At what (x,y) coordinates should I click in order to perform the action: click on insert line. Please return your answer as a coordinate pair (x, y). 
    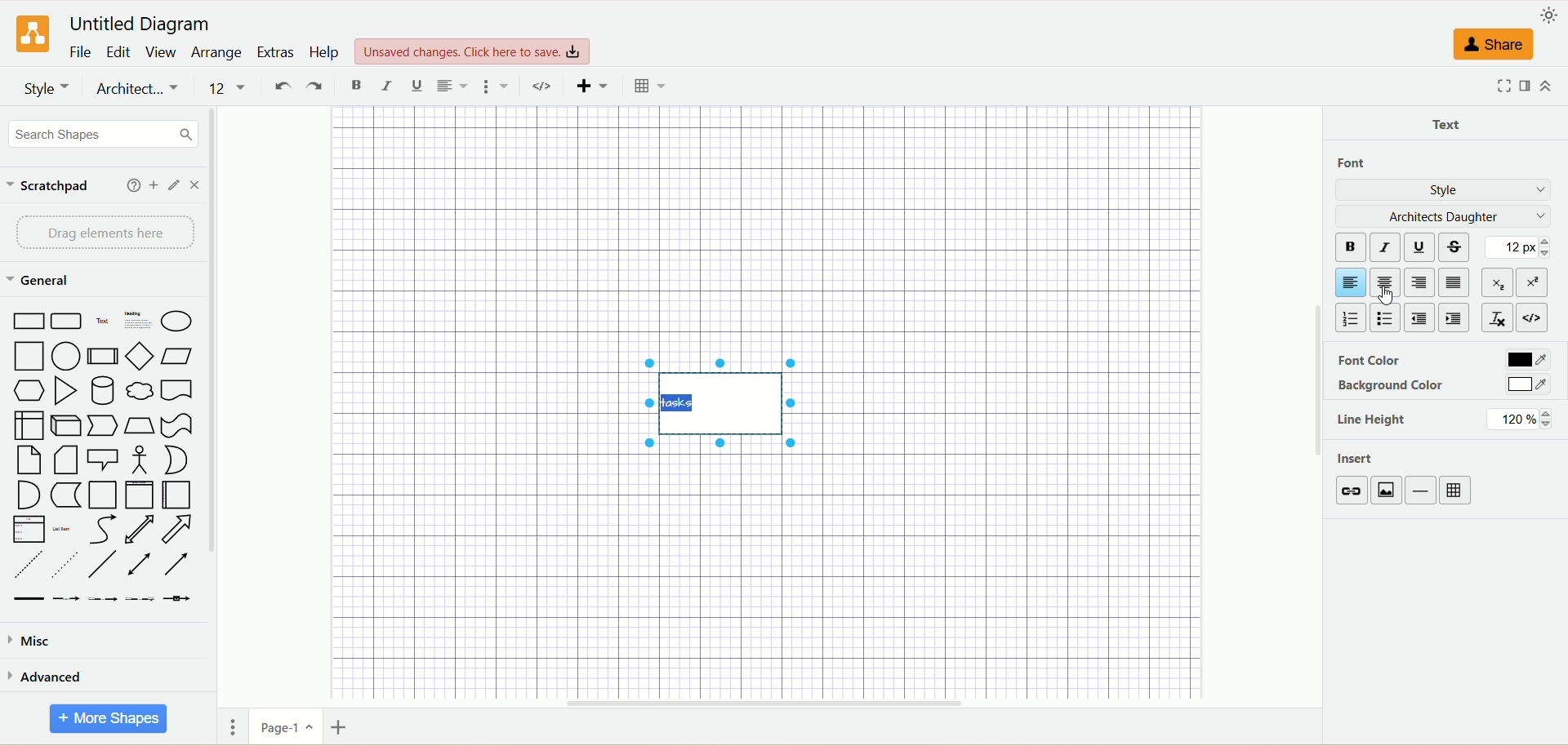
    Looking at the image, I should click on (1423, 491).